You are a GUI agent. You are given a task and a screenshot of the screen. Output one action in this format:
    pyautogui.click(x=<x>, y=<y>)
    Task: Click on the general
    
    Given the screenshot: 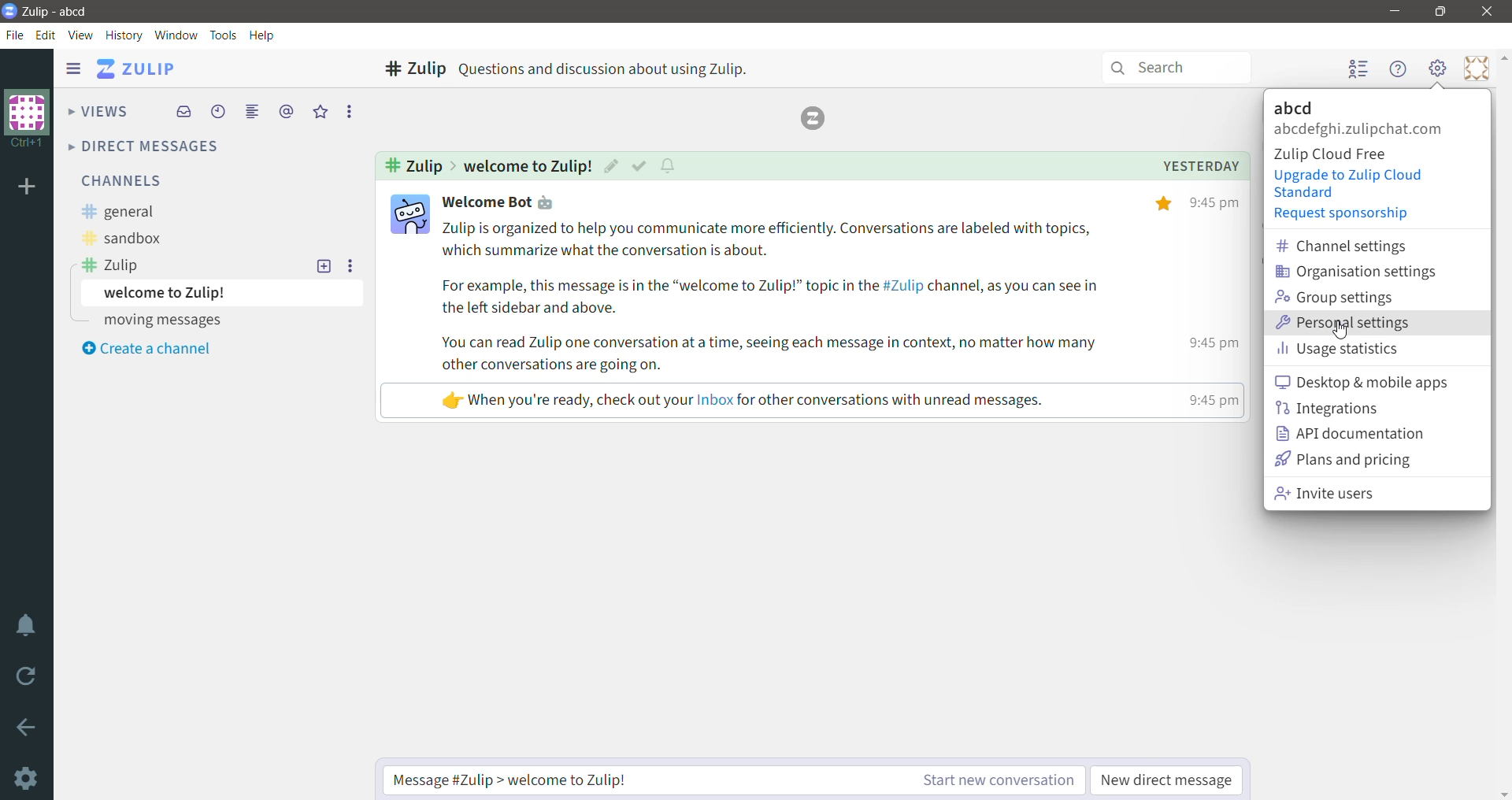 What is the action you would take?
    pyautogui.click(x=120, y=212)
    